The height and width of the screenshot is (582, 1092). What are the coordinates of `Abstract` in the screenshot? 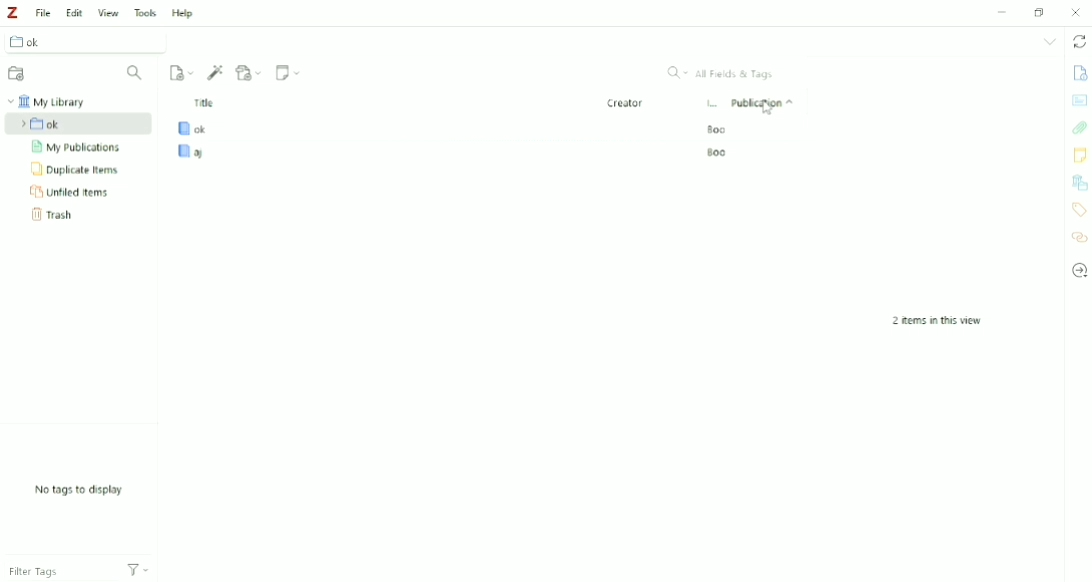 It's located at (1080, 101).